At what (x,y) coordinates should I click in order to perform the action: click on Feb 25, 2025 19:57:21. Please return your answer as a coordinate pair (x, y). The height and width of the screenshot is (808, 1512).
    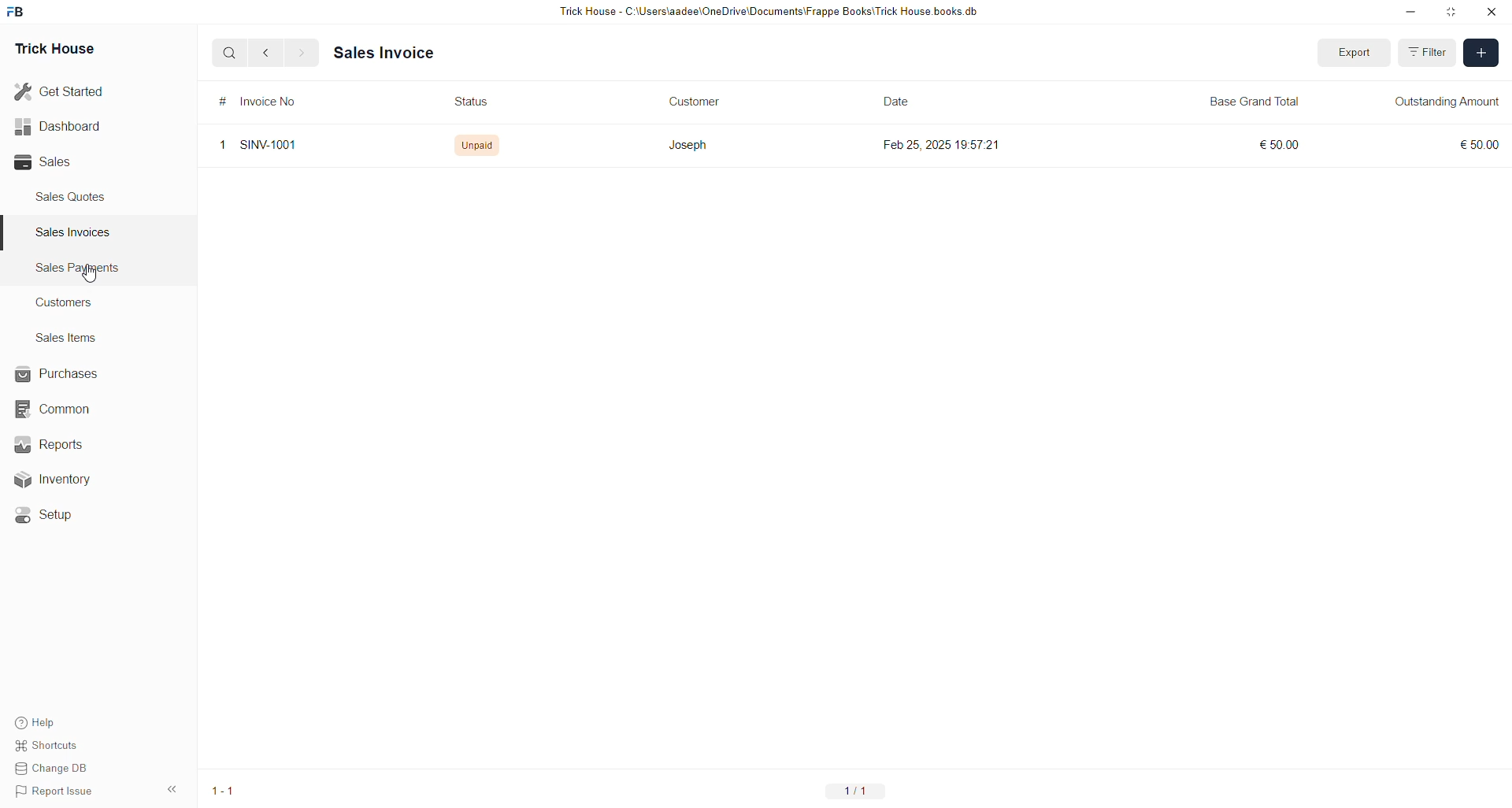
    Looking at the image, I should click on (943, 144).